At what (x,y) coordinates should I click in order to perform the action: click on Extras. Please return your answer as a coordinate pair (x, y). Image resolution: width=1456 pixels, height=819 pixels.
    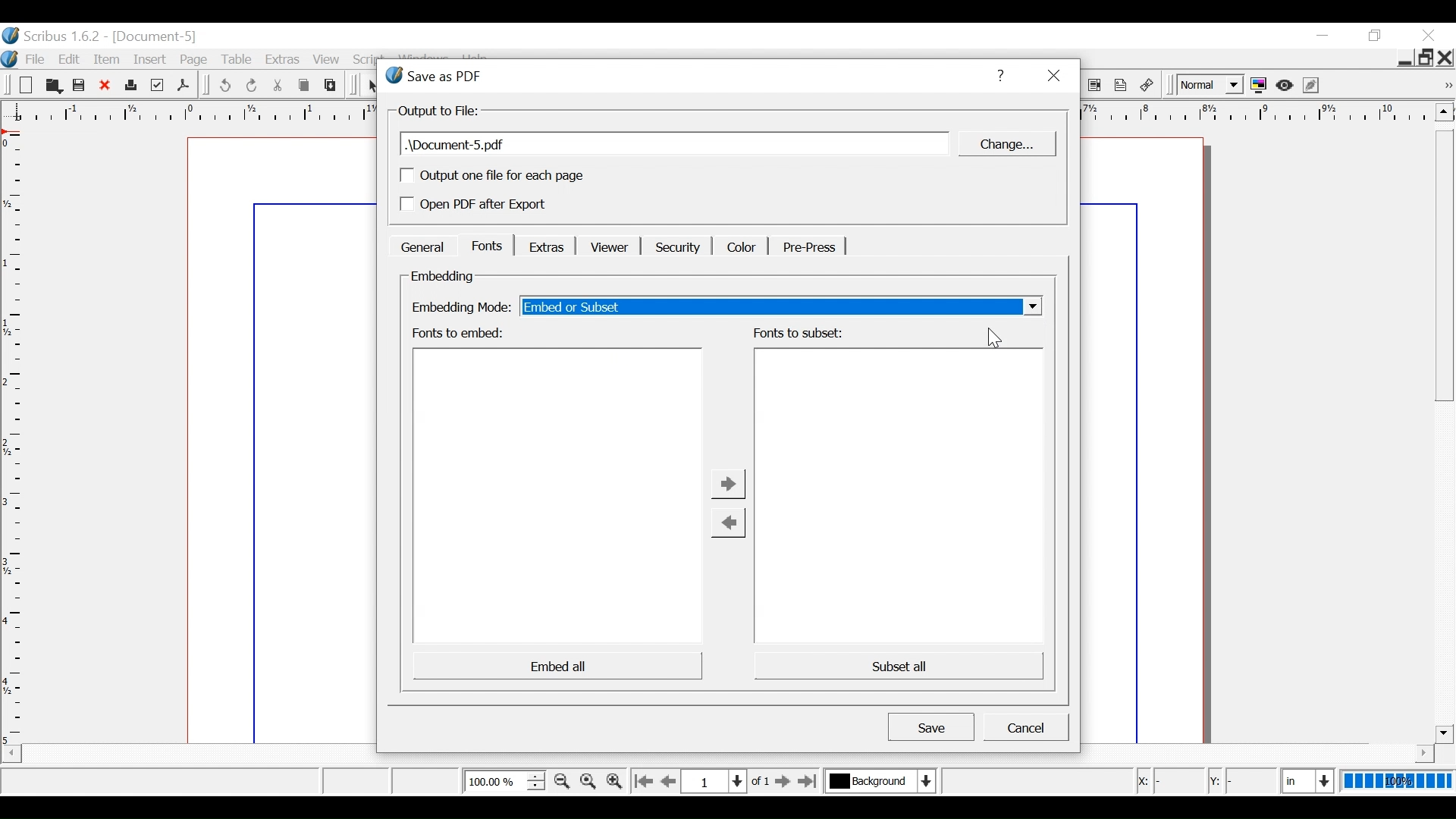
    Looking at the image, I should click on (544, 246).